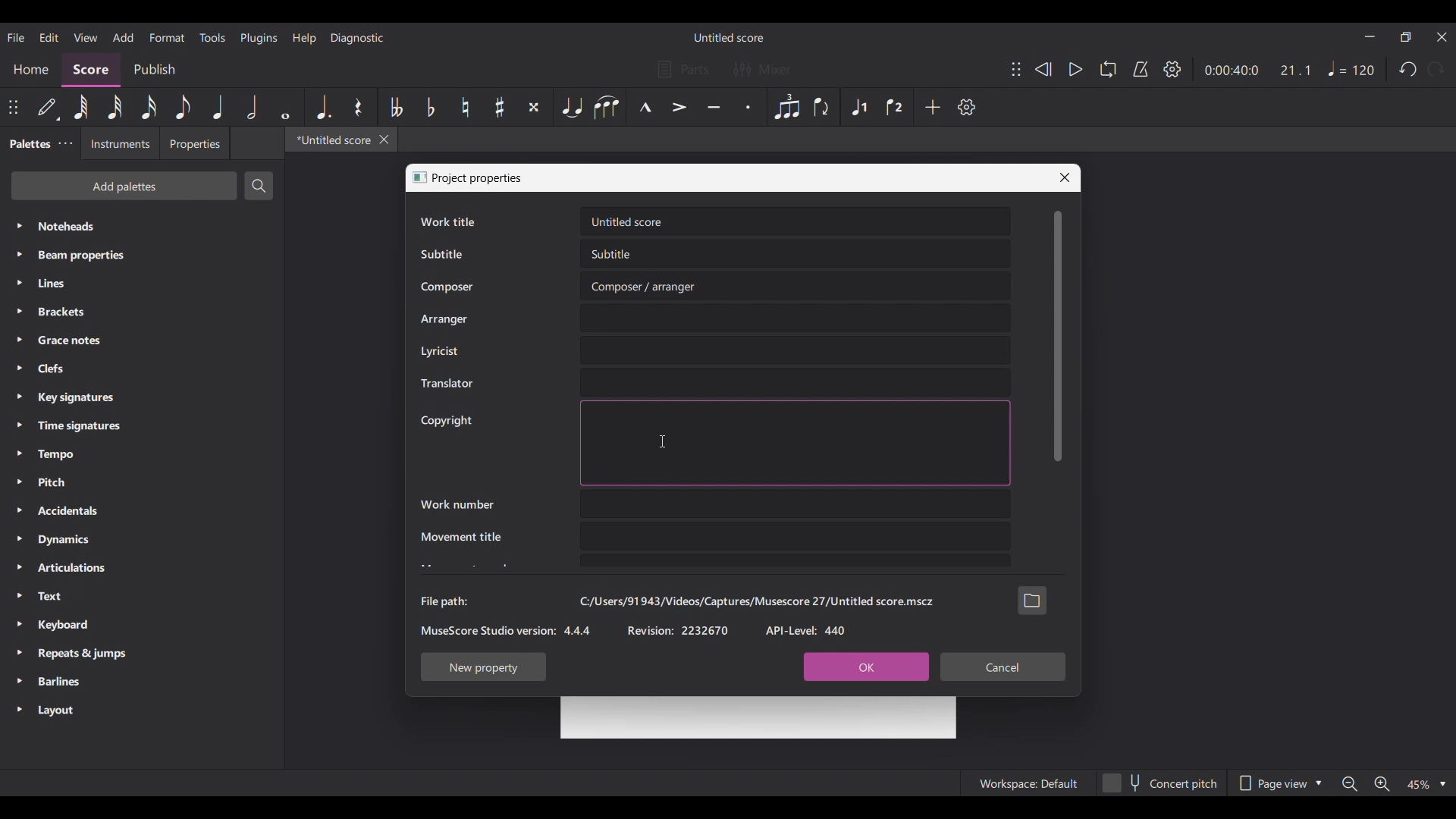 This screenshot has height=819, width=1456. Describe the element at coordinates (466, 107) in the screenshot. I see `Toggle natural` at that location.